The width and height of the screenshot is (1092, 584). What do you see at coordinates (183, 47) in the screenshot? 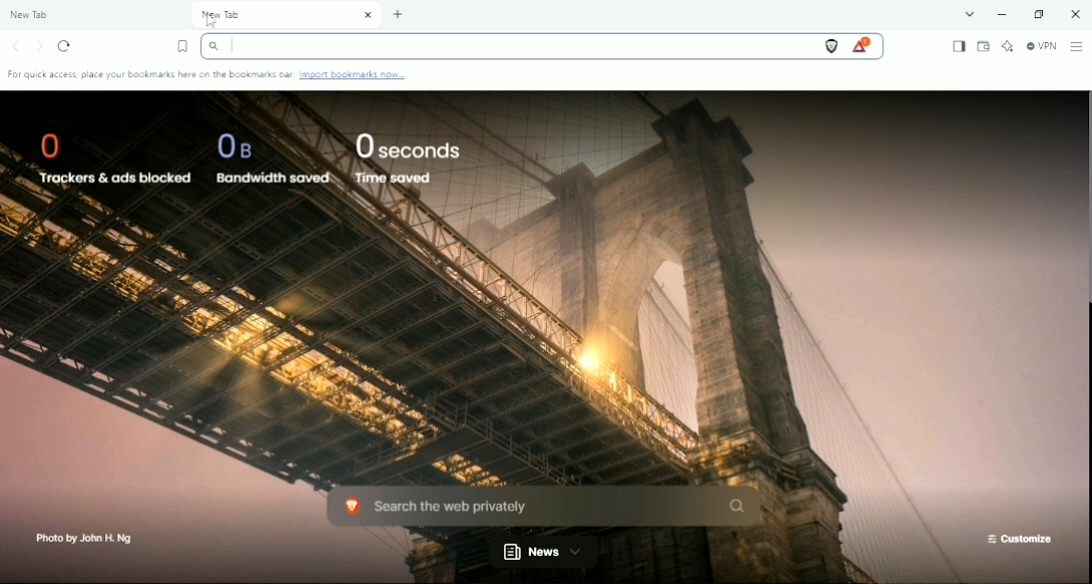
I see `Bookmark this tab` at bounding box center [183, 47].